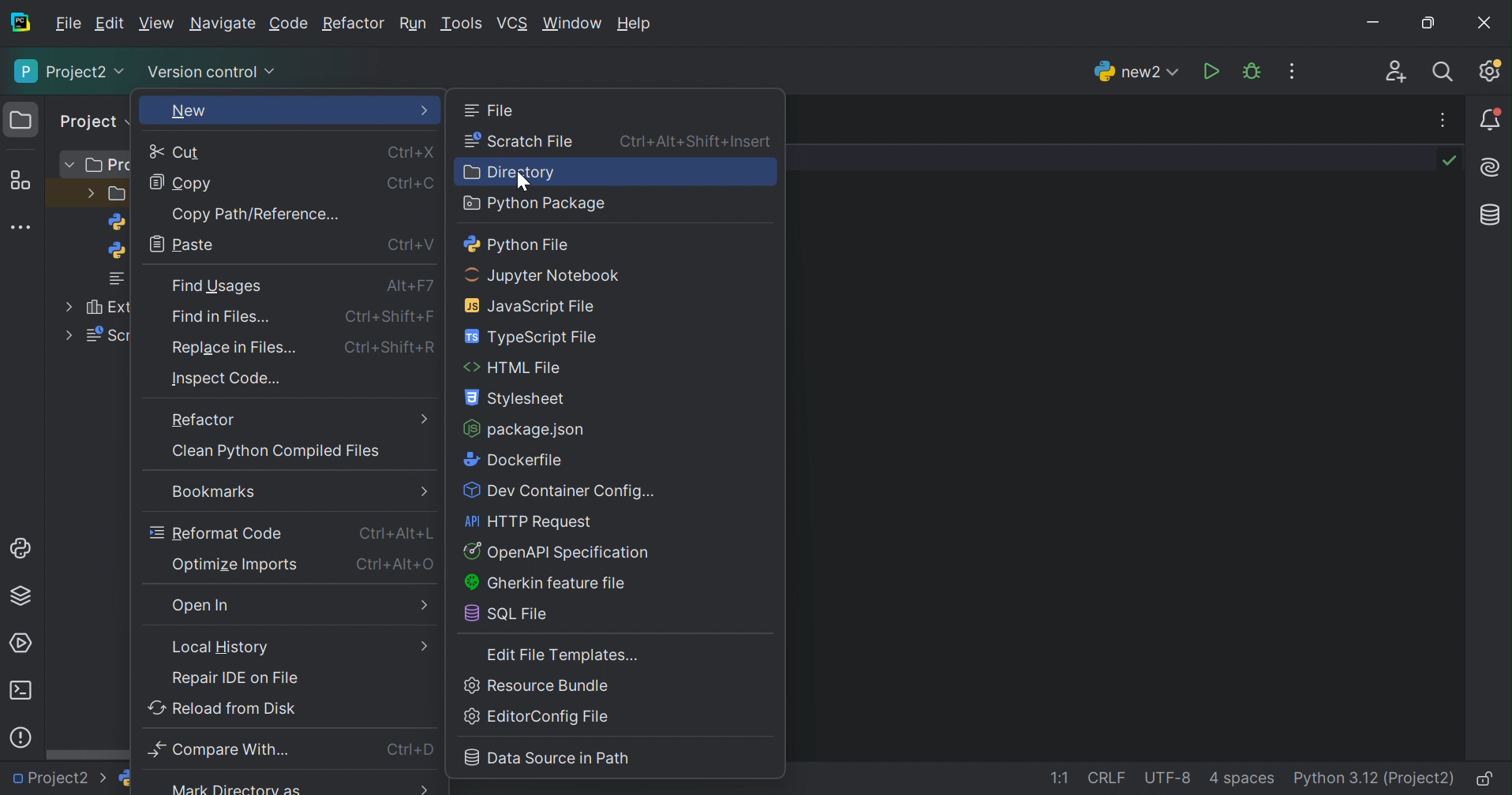 The height and width of the screenshot is (795, 1512). What do you see at coordinates (119, 222) in the screenshot?
I see `python logo` at bounding box center [119, 222].